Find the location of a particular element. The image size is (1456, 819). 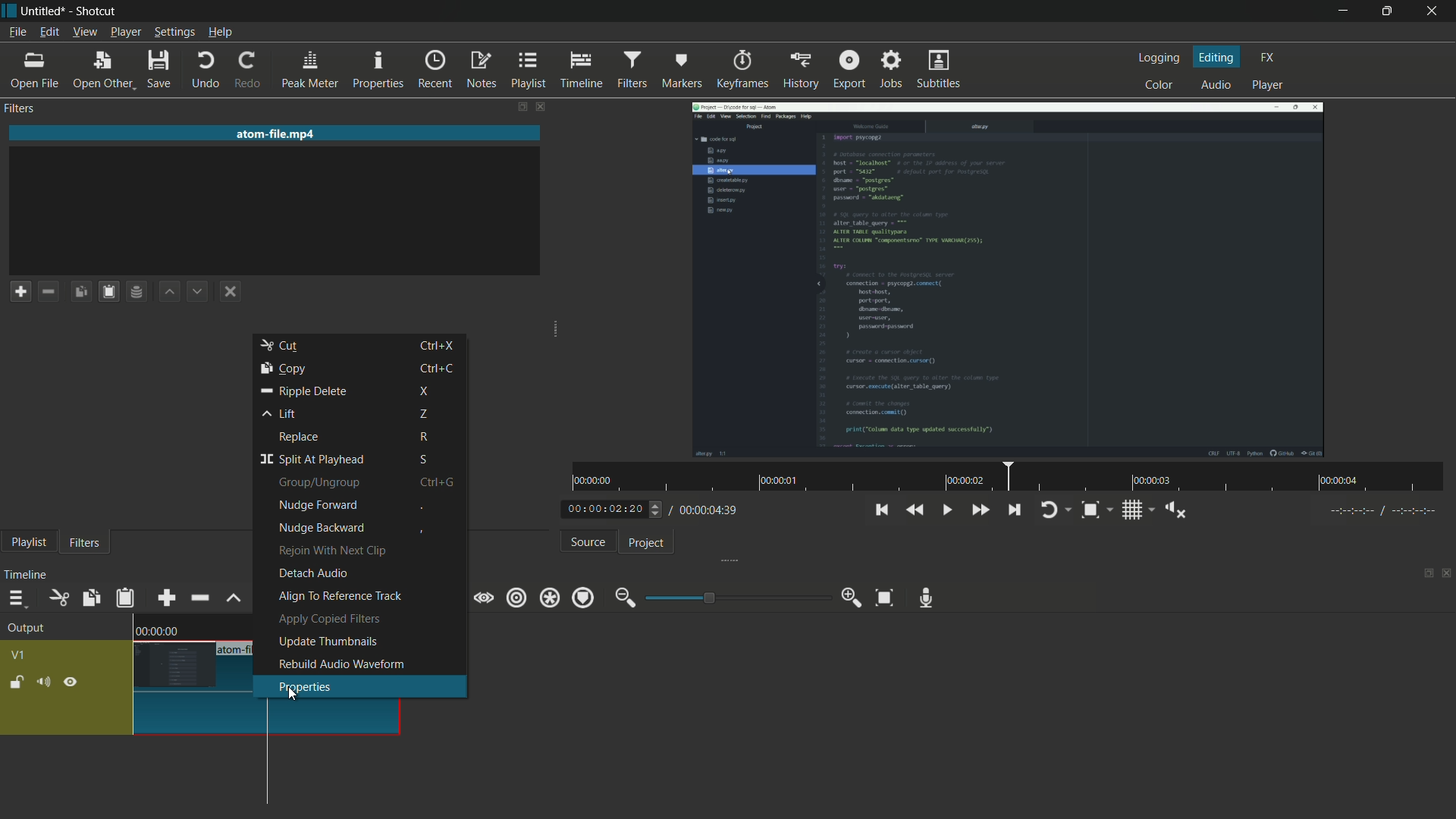

undo is located at coordinates (206, 71).